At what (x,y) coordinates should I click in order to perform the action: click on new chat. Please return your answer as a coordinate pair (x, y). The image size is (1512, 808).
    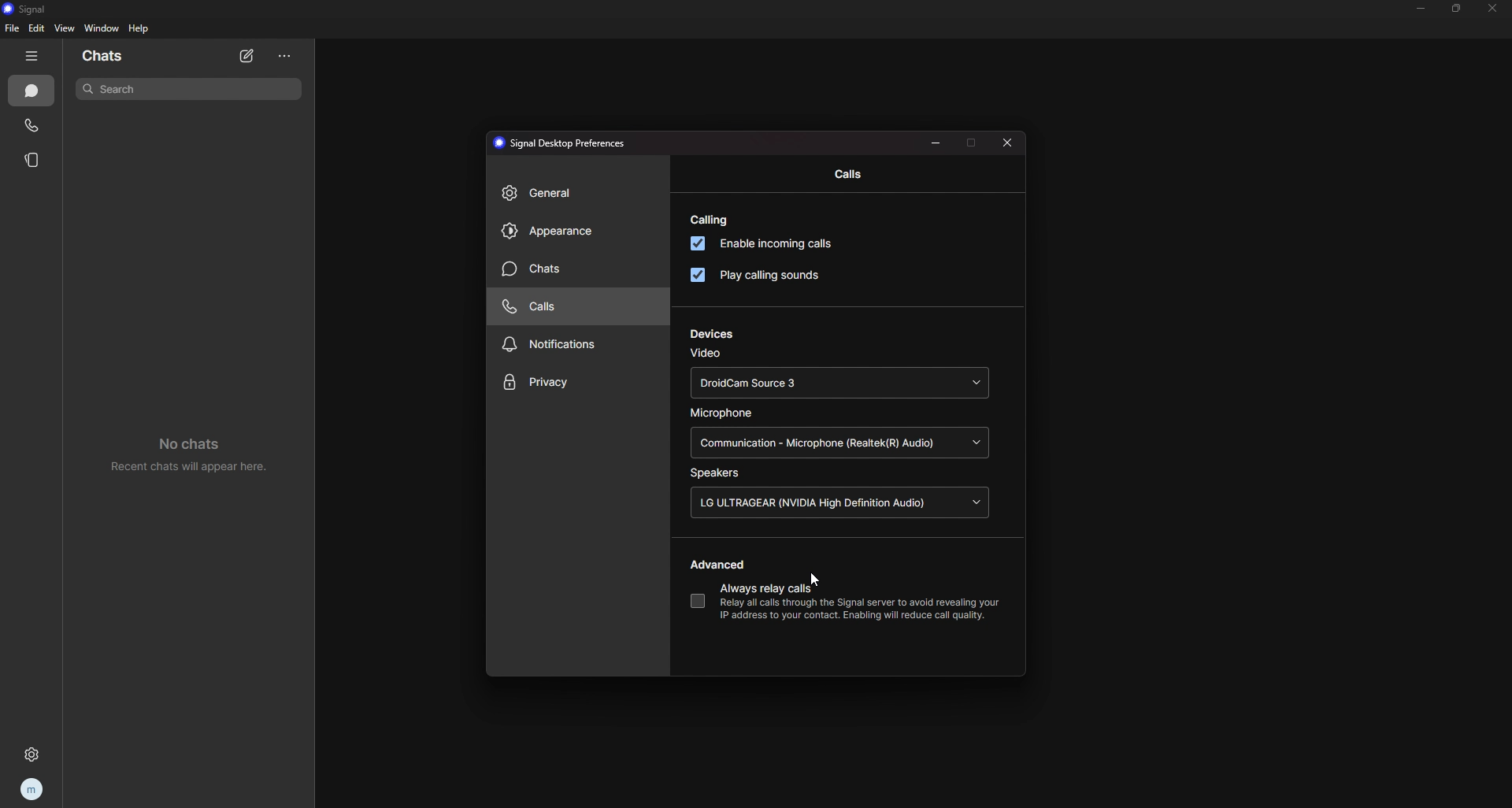
    Looking at the image, I should click on (248, 57).